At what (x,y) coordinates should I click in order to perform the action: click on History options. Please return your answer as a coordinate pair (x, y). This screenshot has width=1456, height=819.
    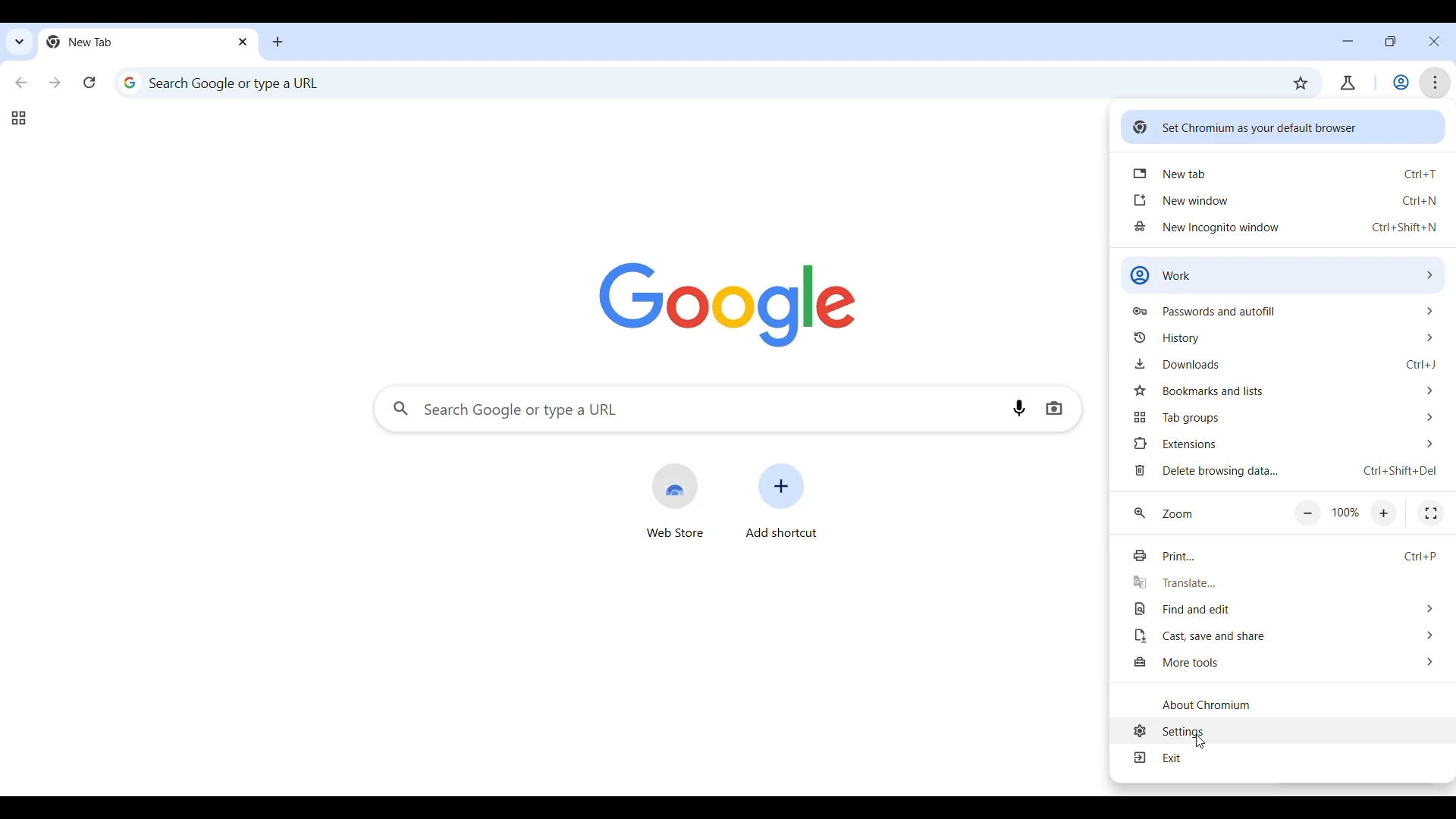
    Looking at the image, I should click on (1285, 338).